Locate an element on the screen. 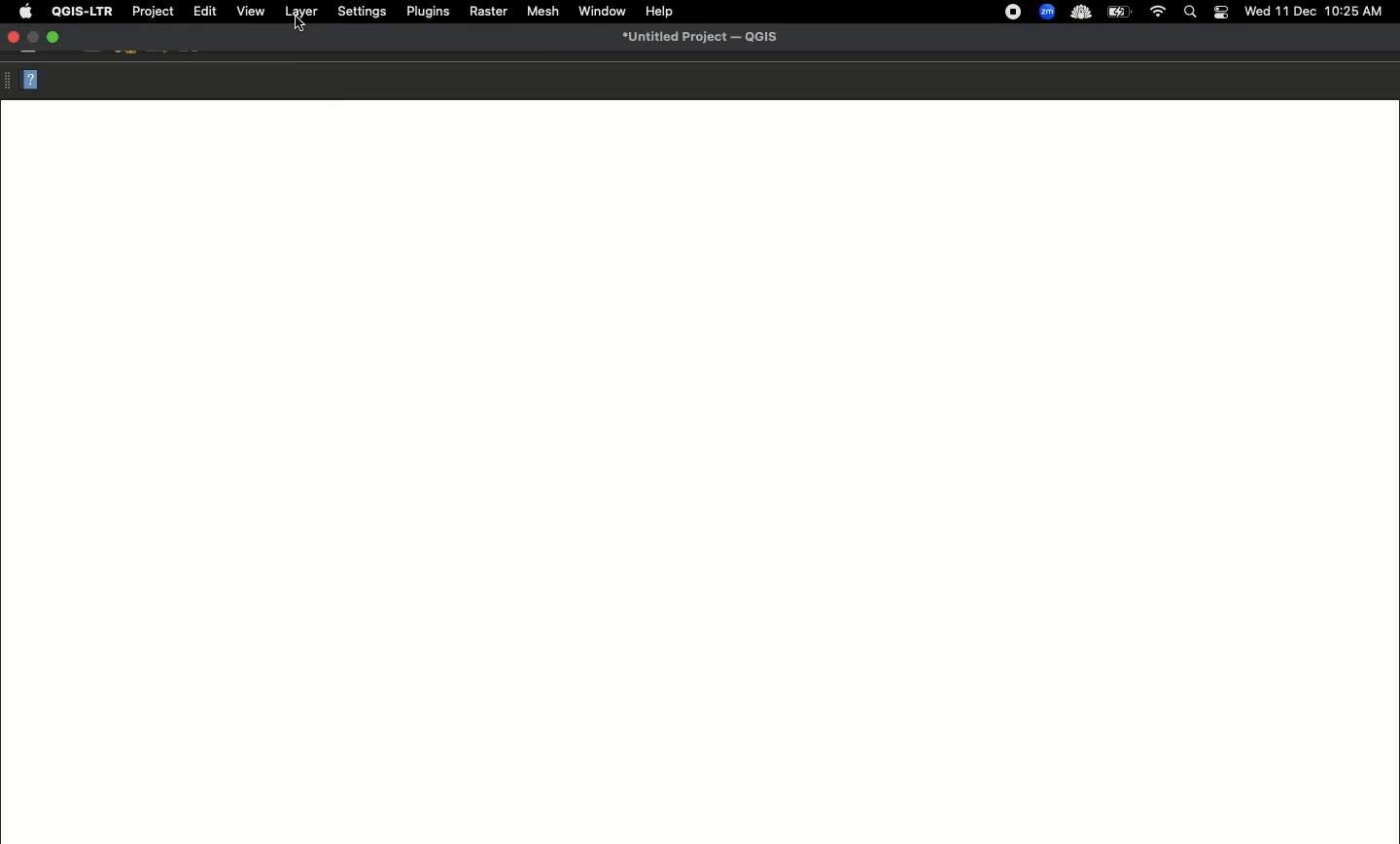 This screenshot has height=844, width=1400. Charge is located at coordinates (1118, 13).